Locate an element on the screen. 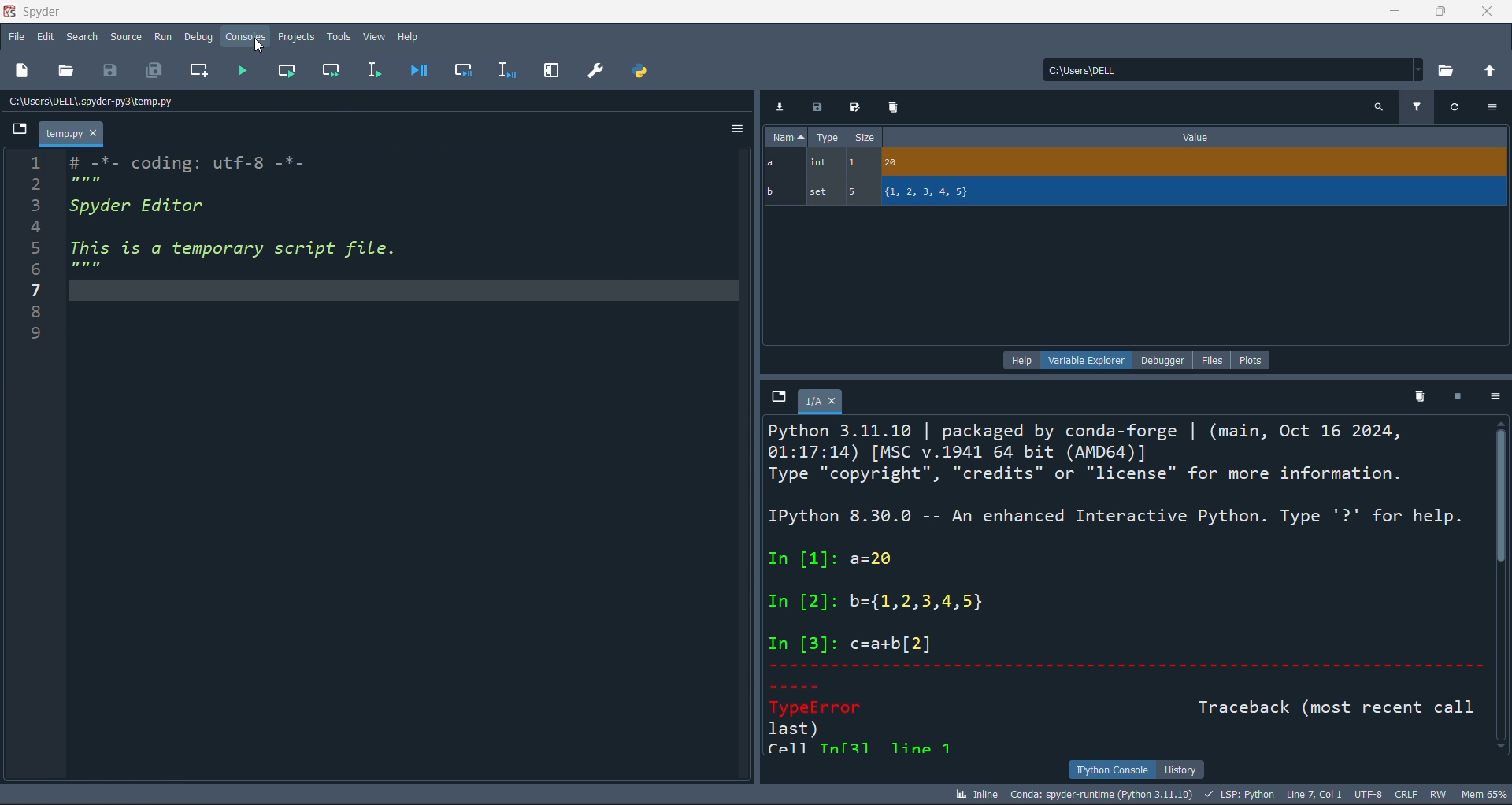  1 # -*- coding: utf-8 -*-

PRET

3 Spyder Editor

4

5 This is a temporary script file.
g mew

7/

8

c) is located at coordinates (256, 256).